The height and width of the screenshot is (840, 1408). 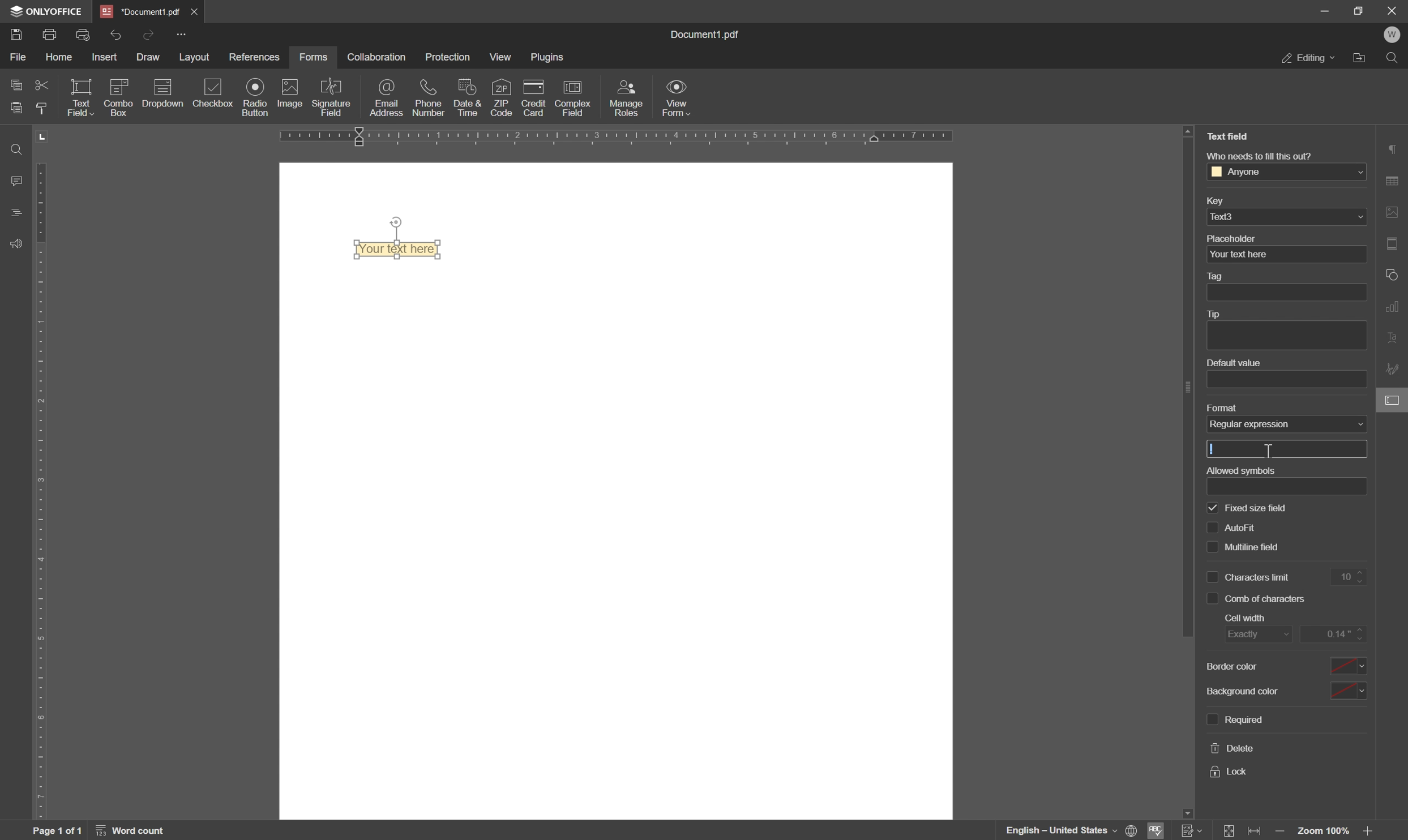 I want to click on ruler, so click(x=659, y=138).